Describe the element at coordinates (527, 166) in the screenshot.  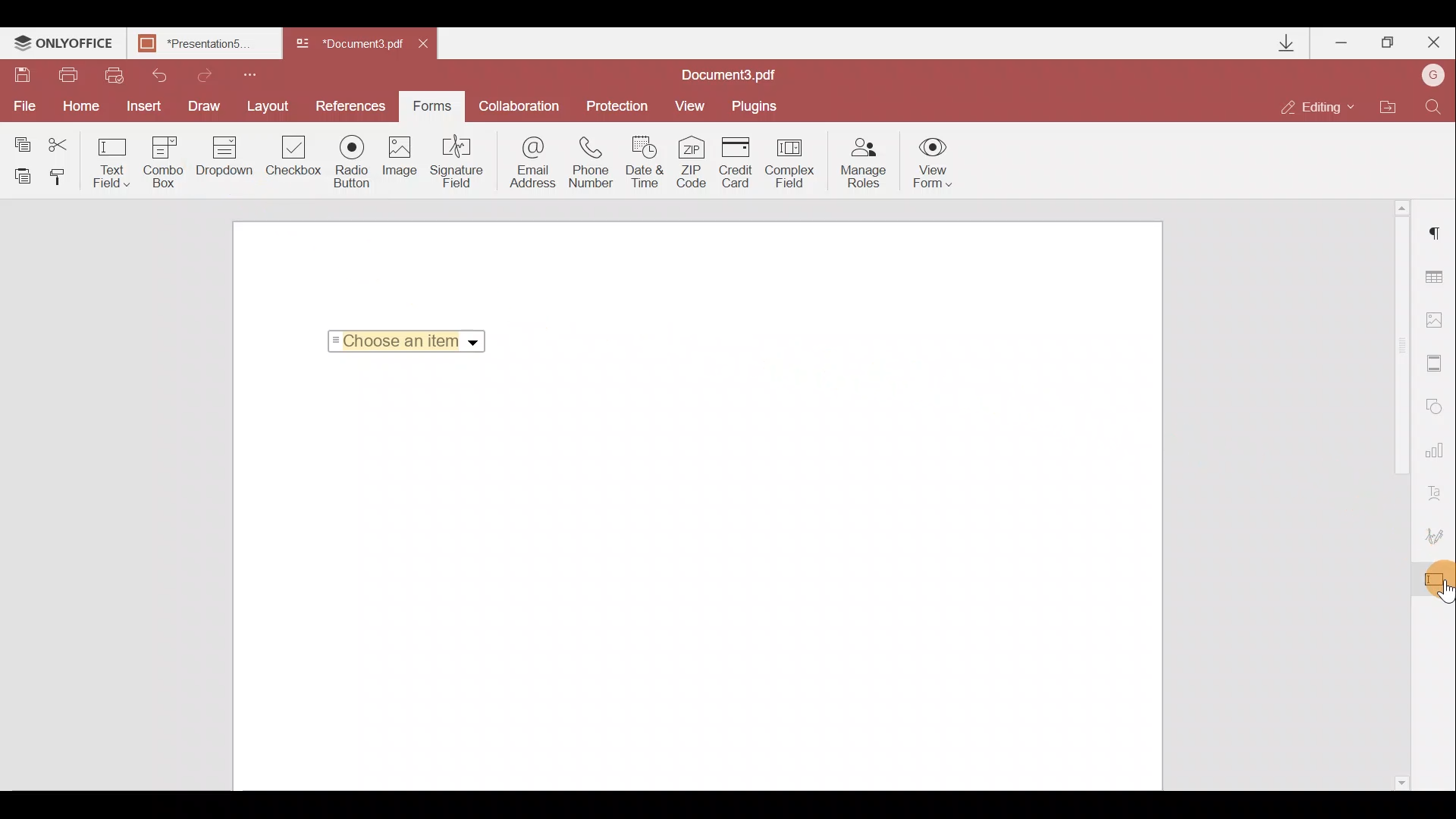
I see `Email address` at that location.